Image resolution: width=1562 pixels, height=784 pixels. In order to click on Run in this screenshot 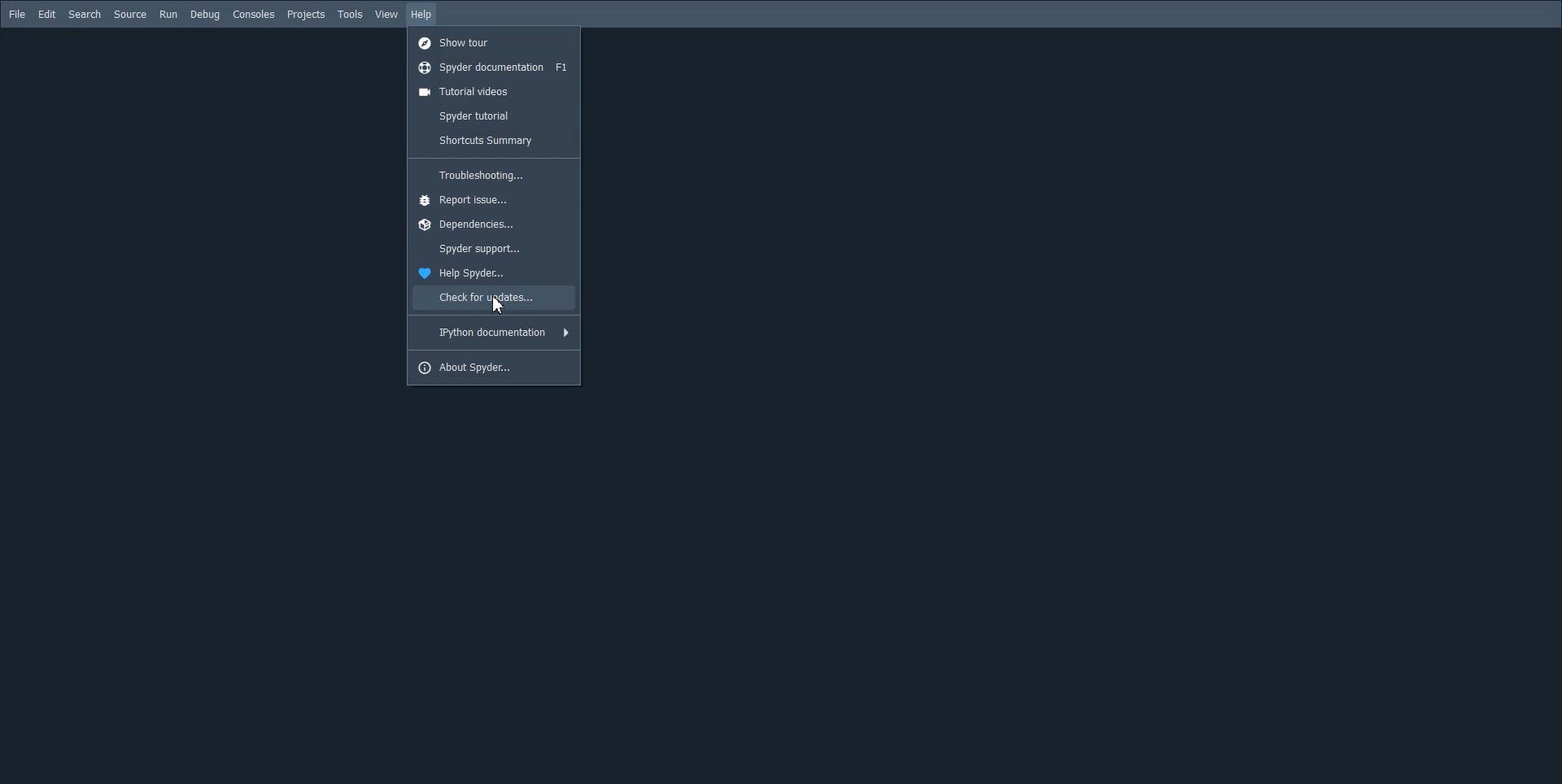, I will do `click(168, 15)`.